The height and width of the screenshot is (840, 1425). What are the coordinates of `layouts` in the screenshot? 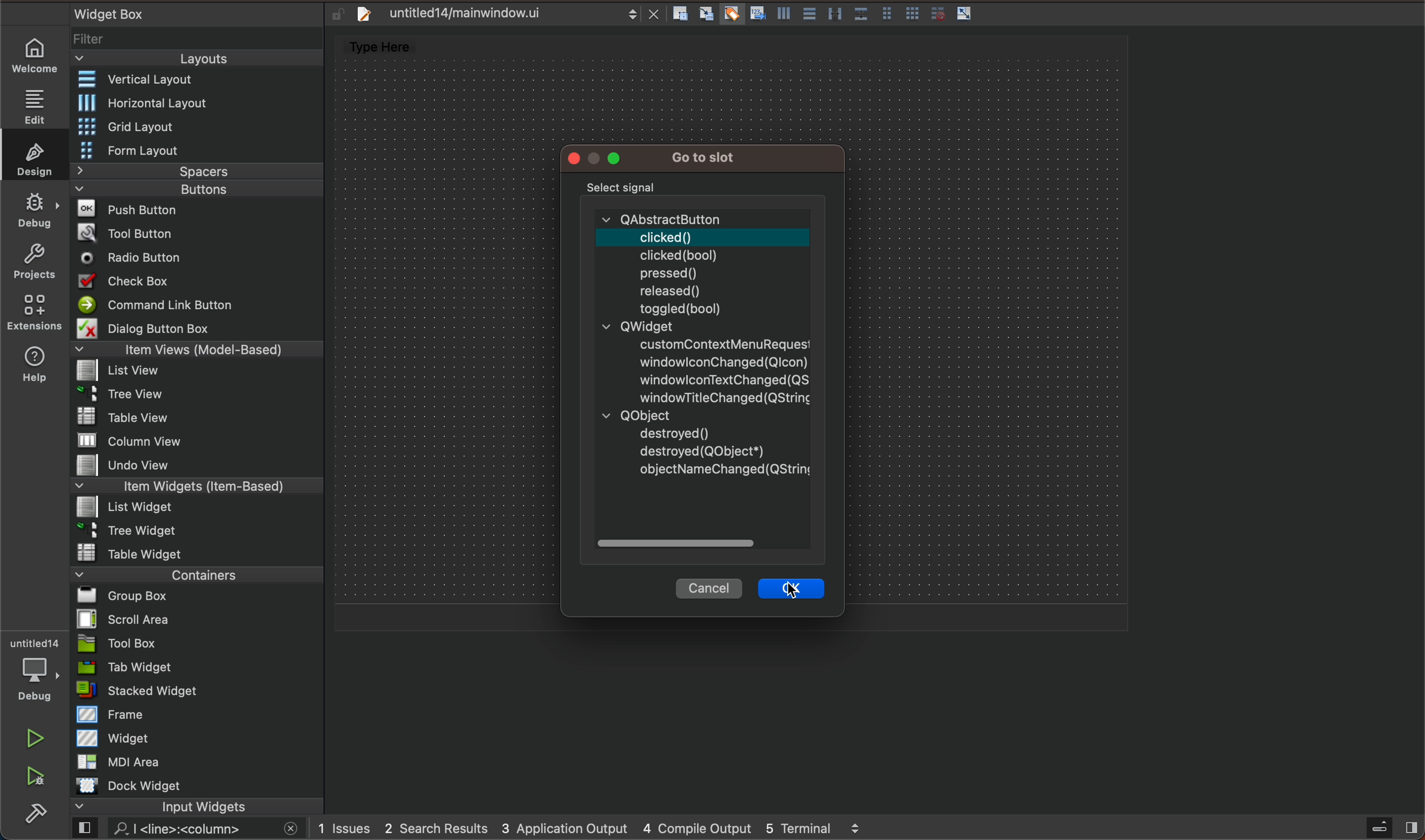 It's located at (195, 59).